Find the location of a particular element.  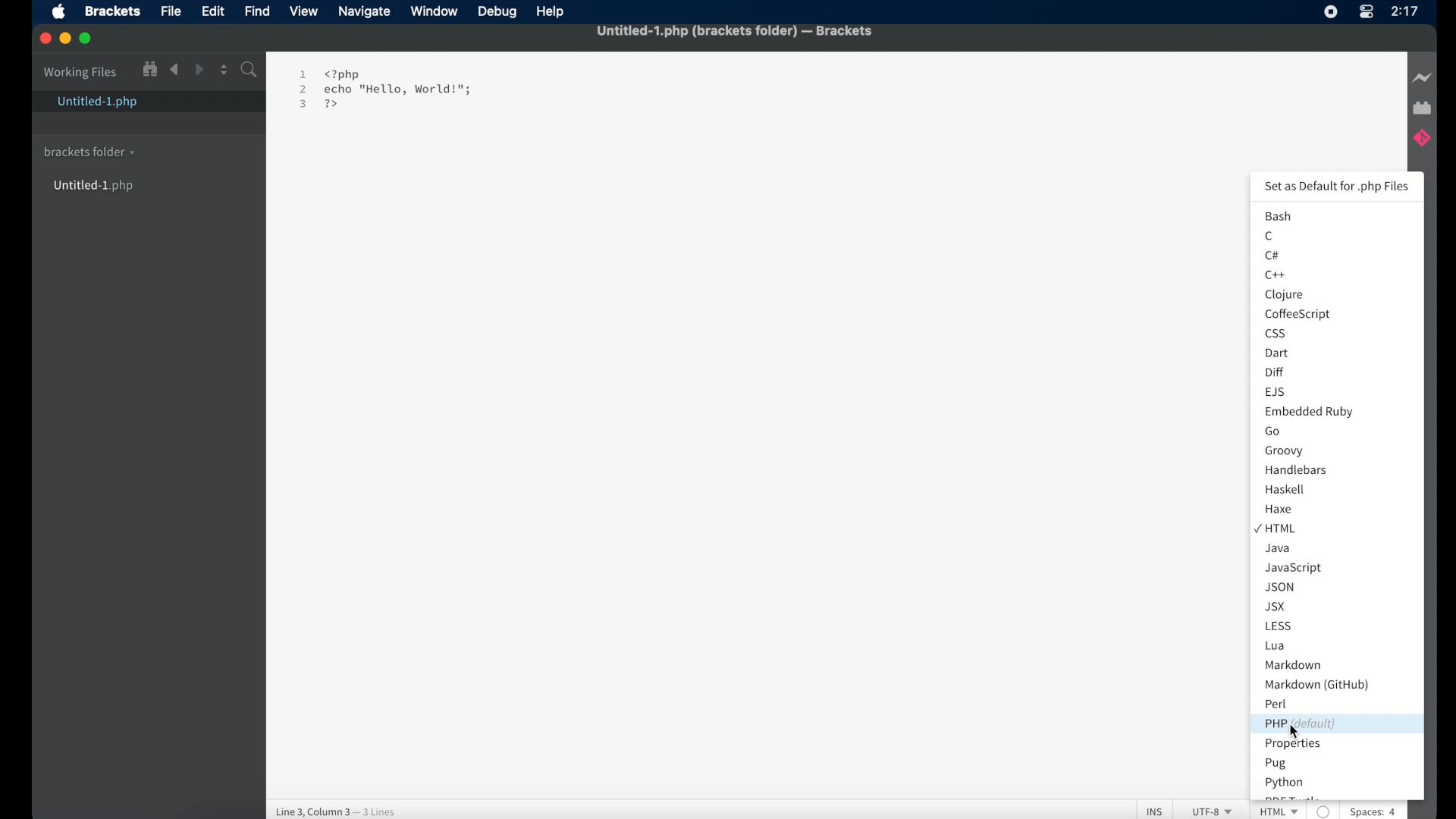

markdown is located at coordinates (1292, 665).